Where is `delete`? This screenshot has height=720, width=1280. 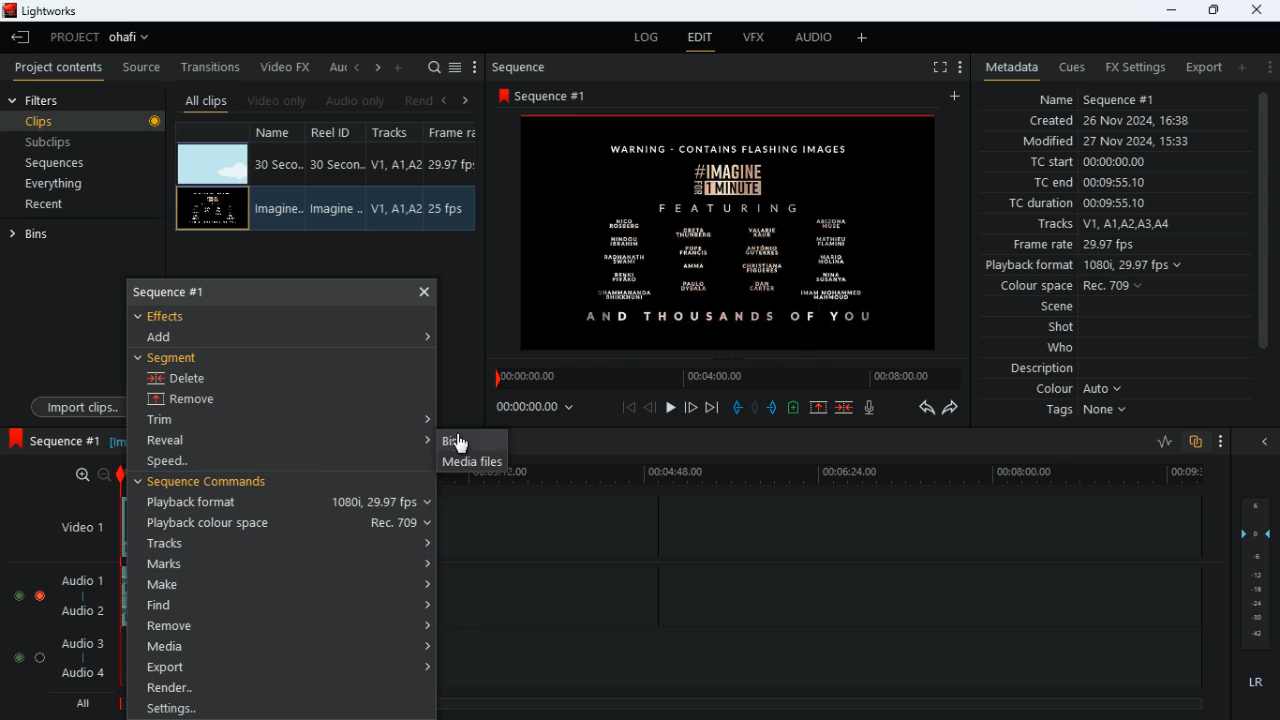
delete is located at coordinates (183, 380).